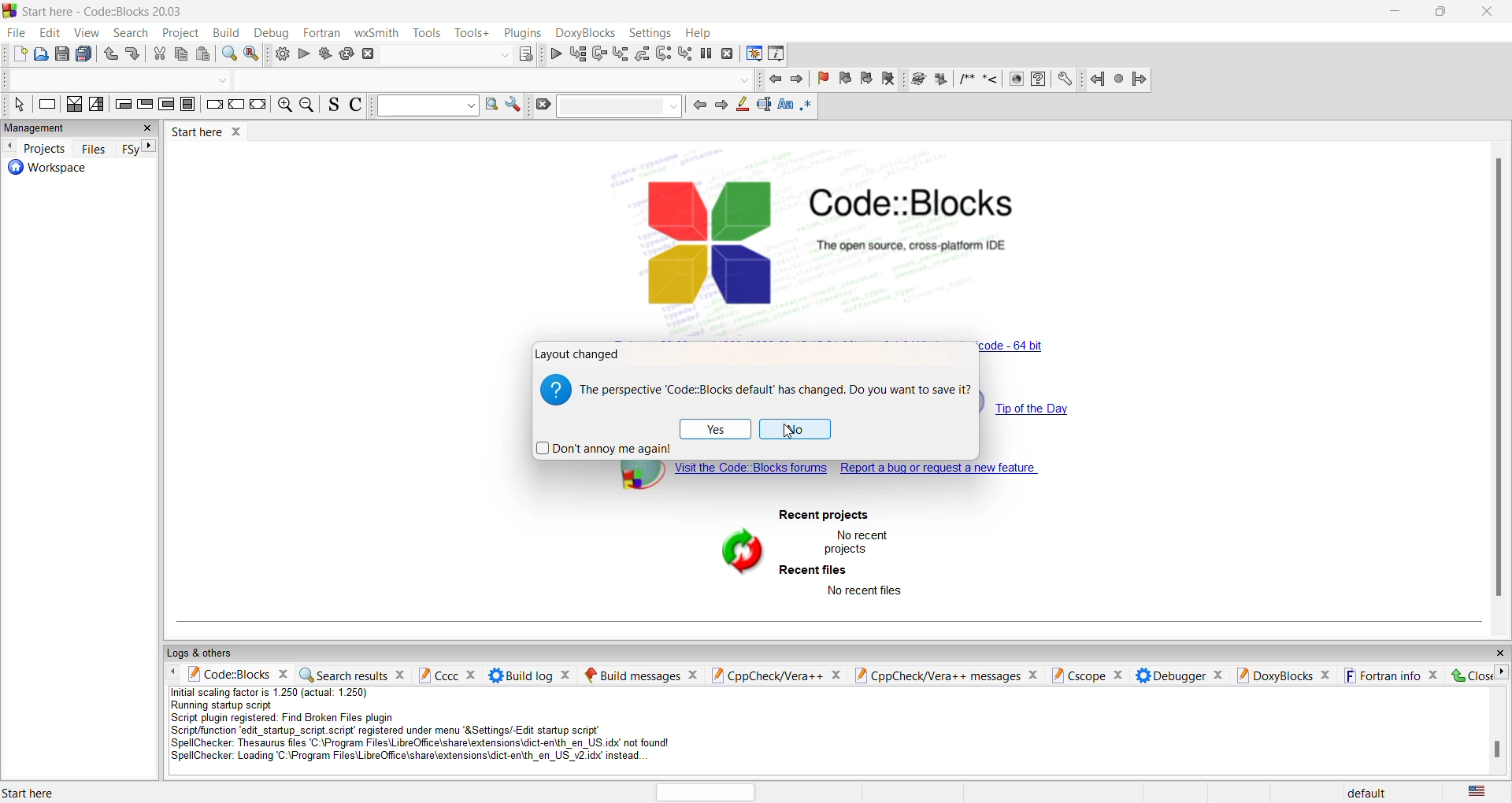  I want to click on comments, so click(965, 79).